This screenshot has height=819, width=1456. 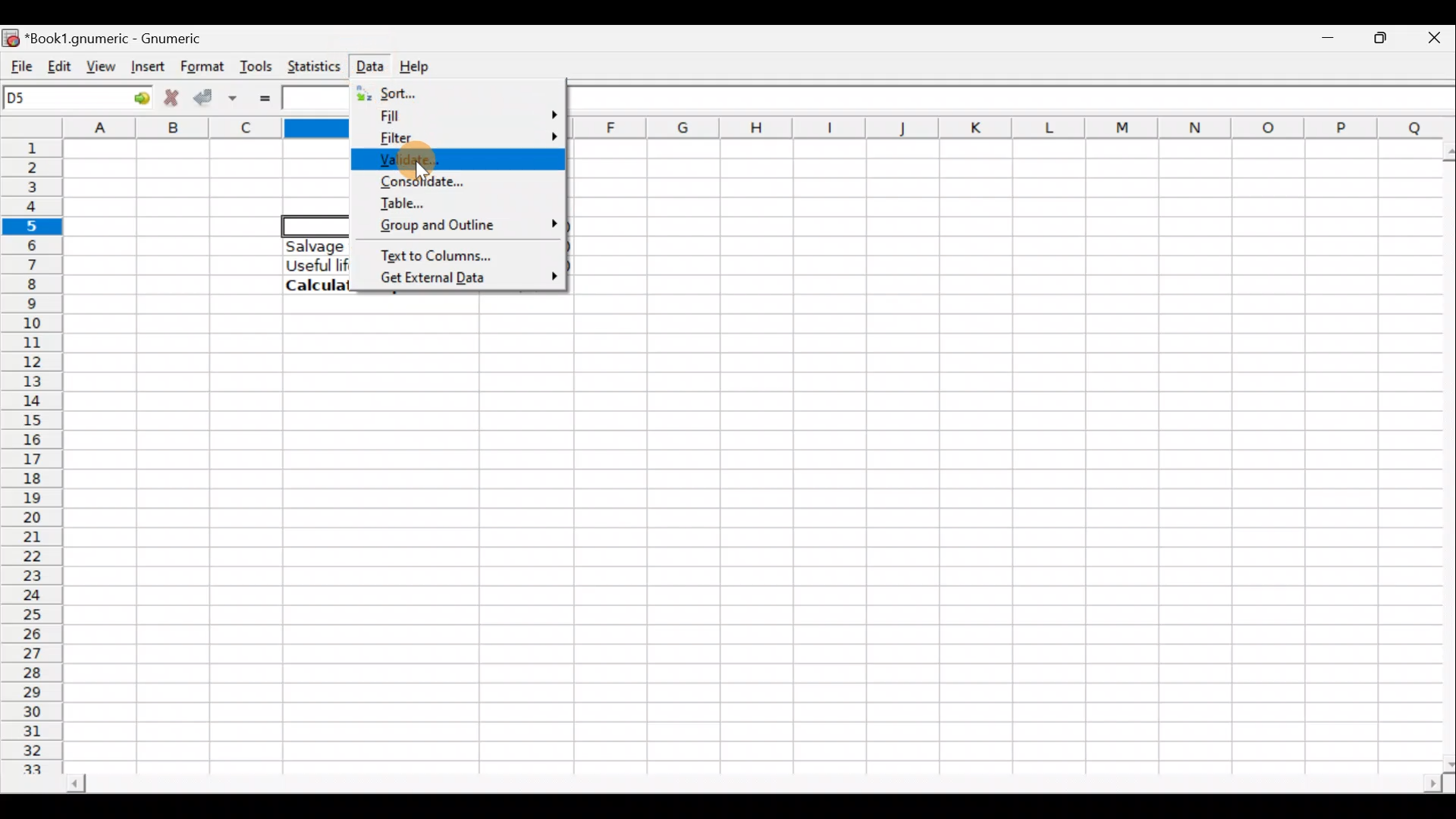 I want to click on Cancel change, so click(x=170, y=96).